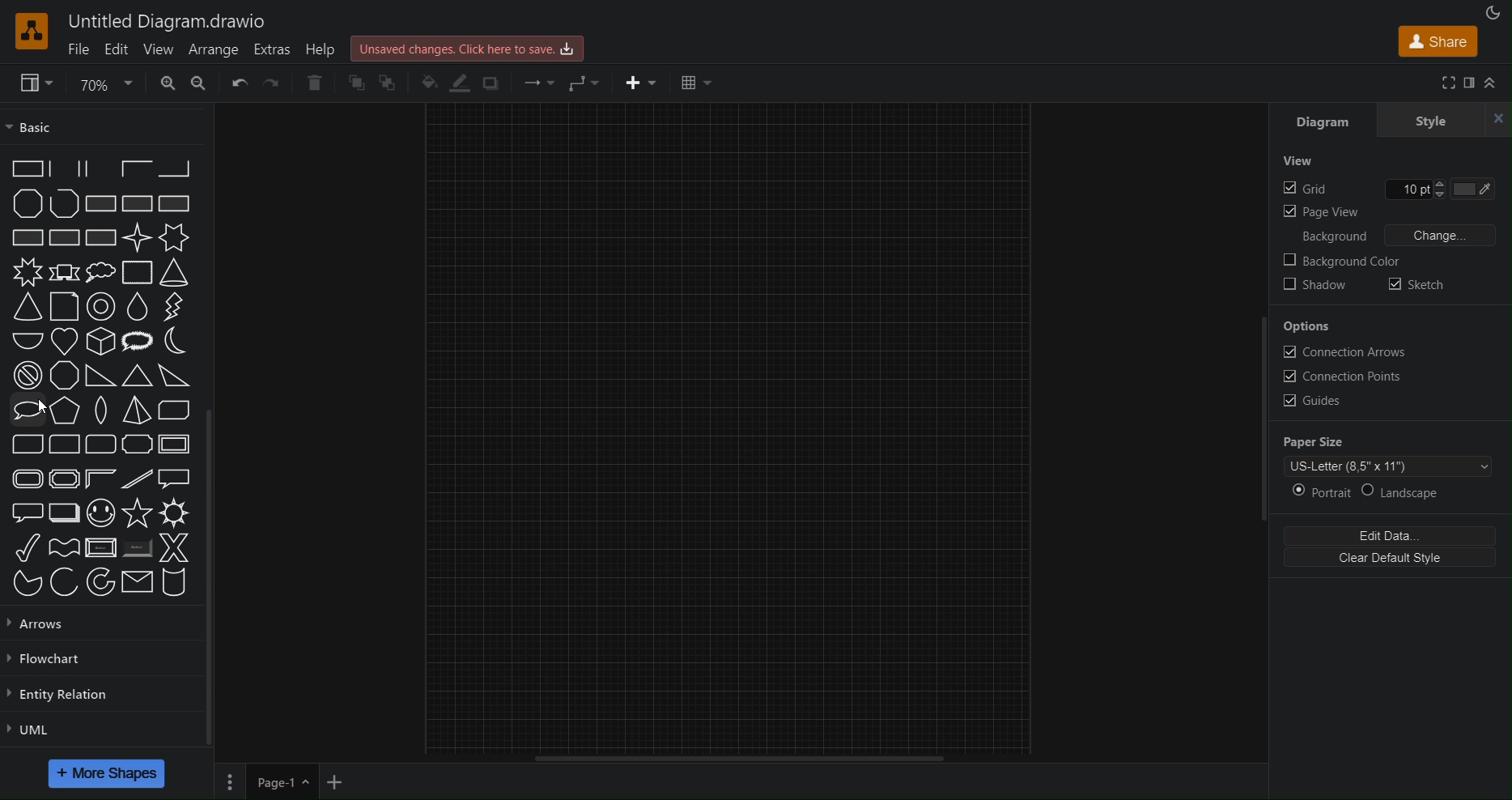 This screenshot has width=1512, height=800. I want to click on Zoom, so click(103, 85).